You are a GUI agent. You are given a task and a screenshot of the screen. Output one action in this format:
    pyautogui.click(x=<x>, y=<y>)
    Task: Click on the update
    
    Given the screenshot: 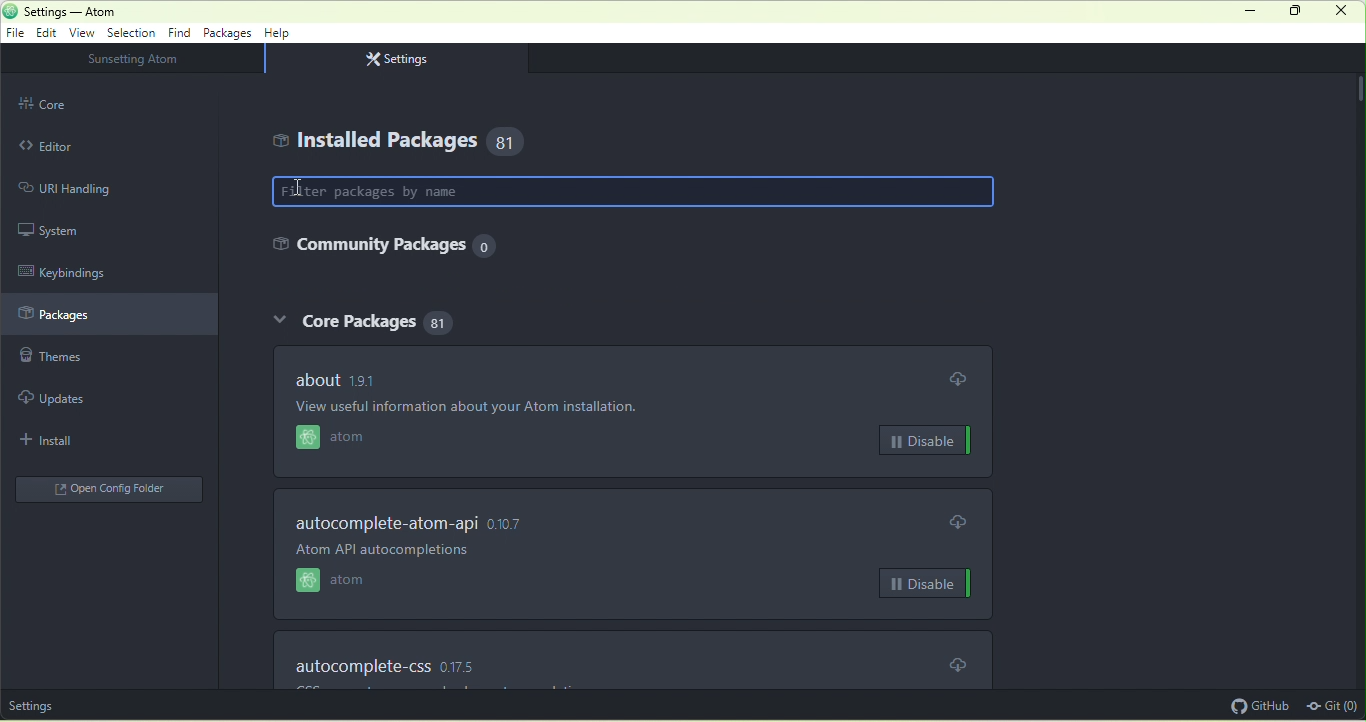 What is the action you would take?
    pyautogui.click(x=958, y=521)
    